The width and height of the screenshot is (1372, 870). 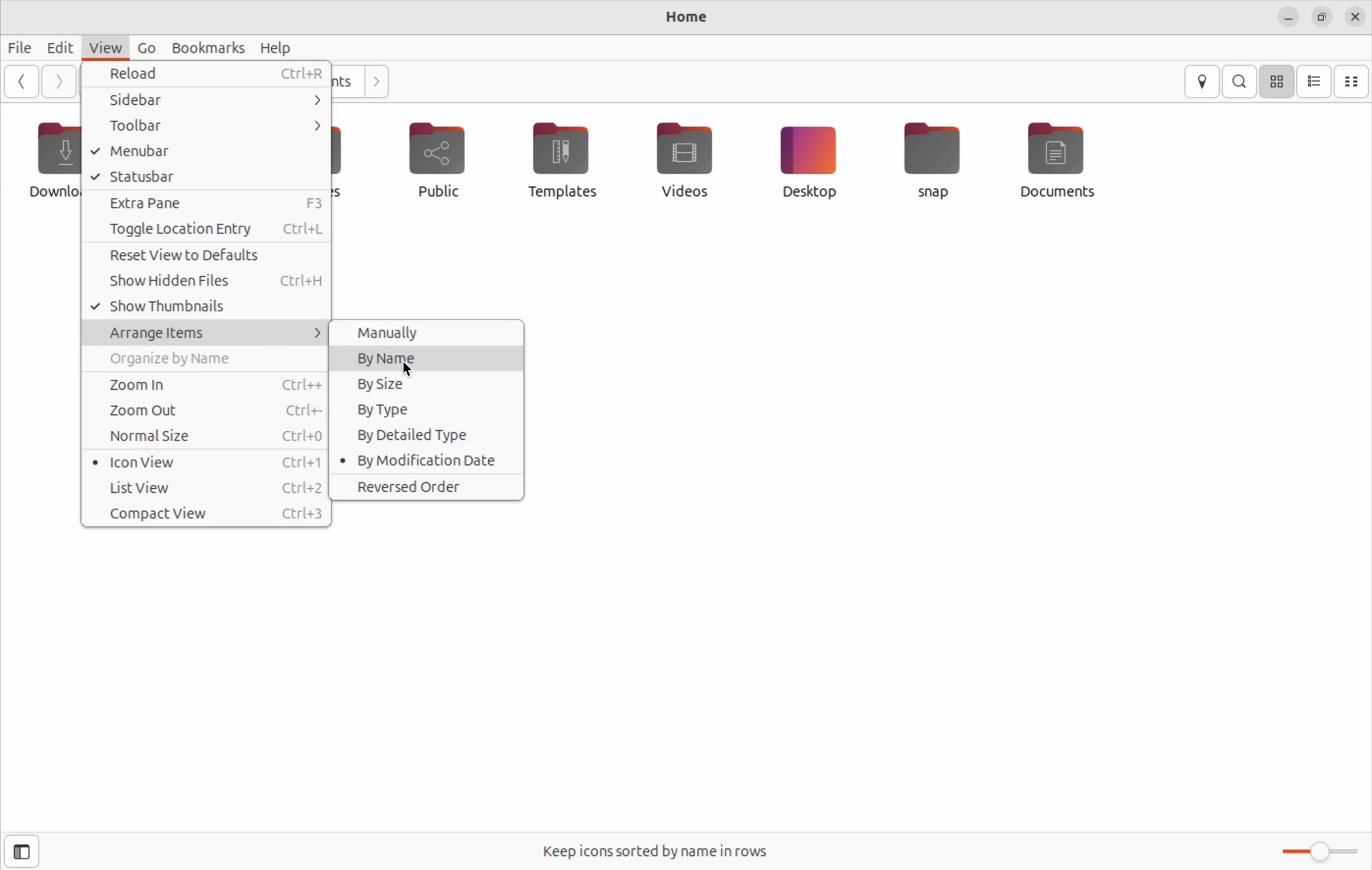 What do you see at coordinates (1069, 160) in the screenshot?
I see `Documents file` at bounding box center [1069, 160].